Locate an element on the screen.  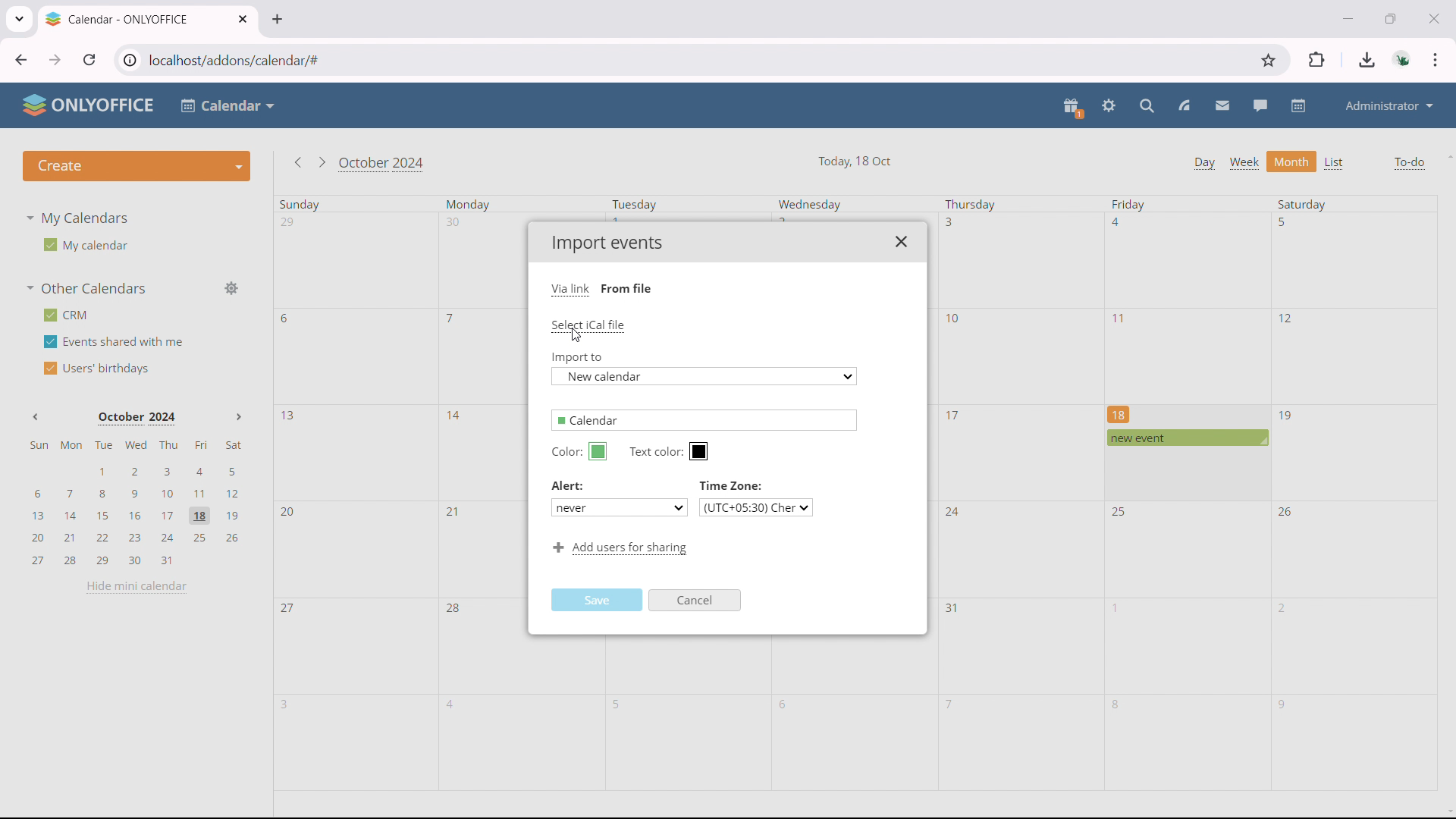
manage is located at coordinates (231, 289).